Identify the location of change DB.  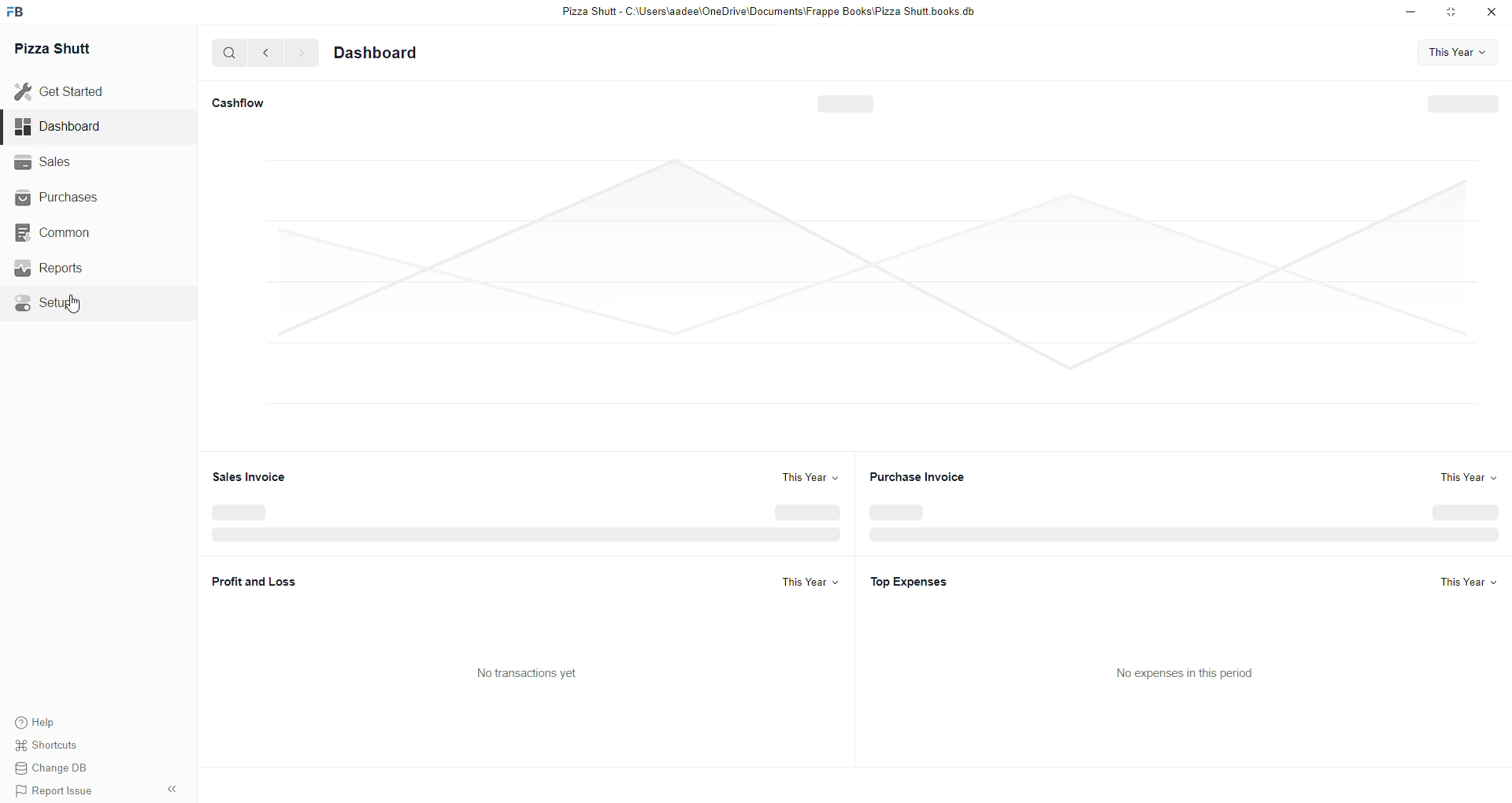
(51, 771).